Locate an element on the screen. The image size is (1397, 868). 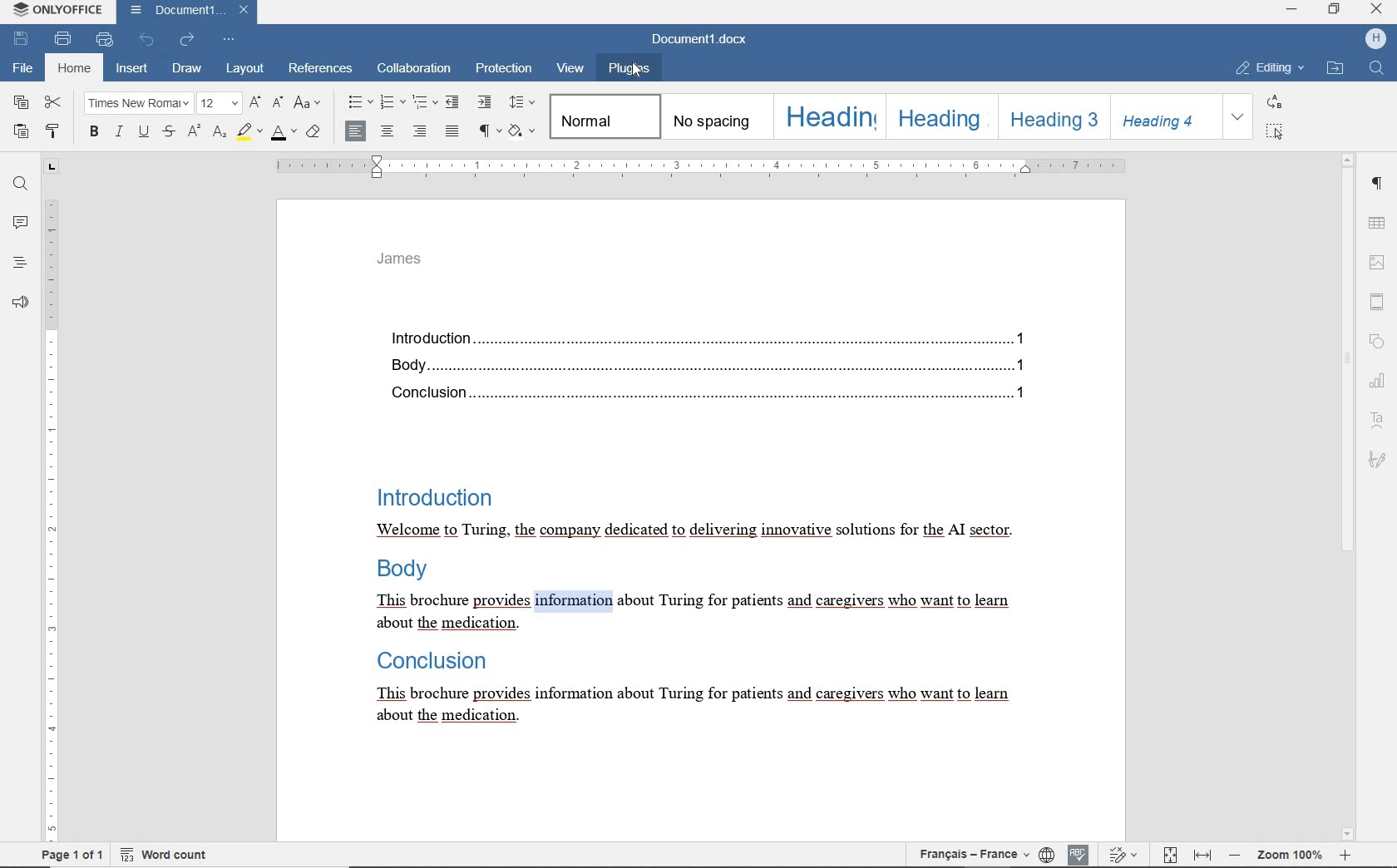
Introduction...1 is located at coordinates (703, 335).